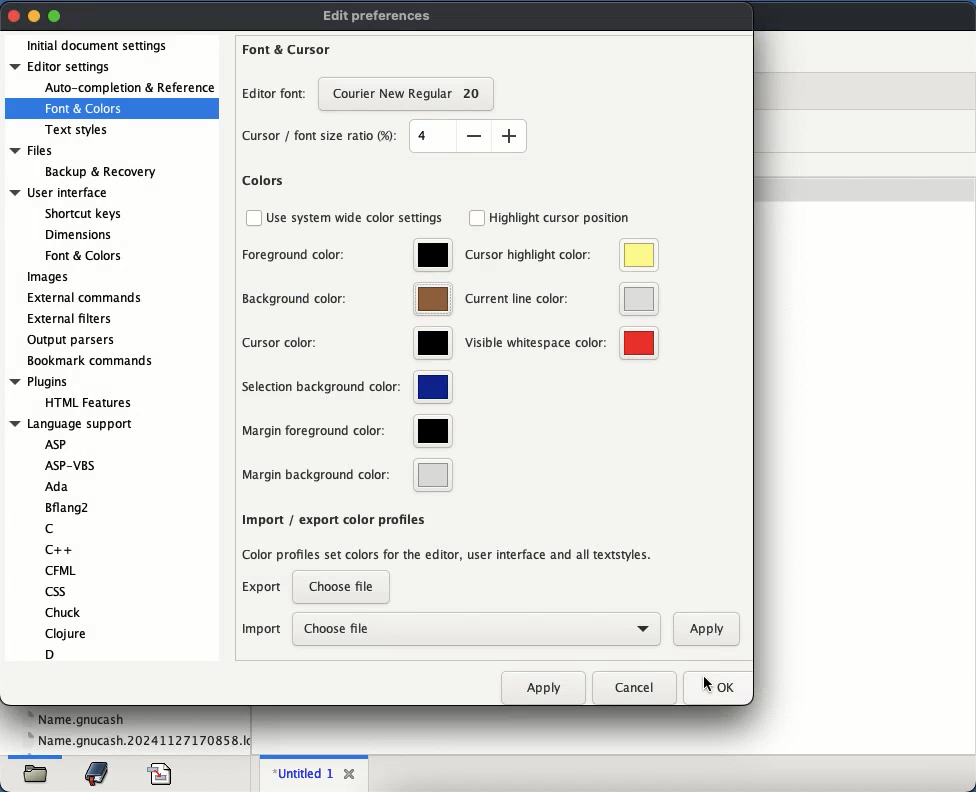  What do you see at coordinates (79, 131) in the screenshot?
I see `text styles` at bounding box center [79, 131].